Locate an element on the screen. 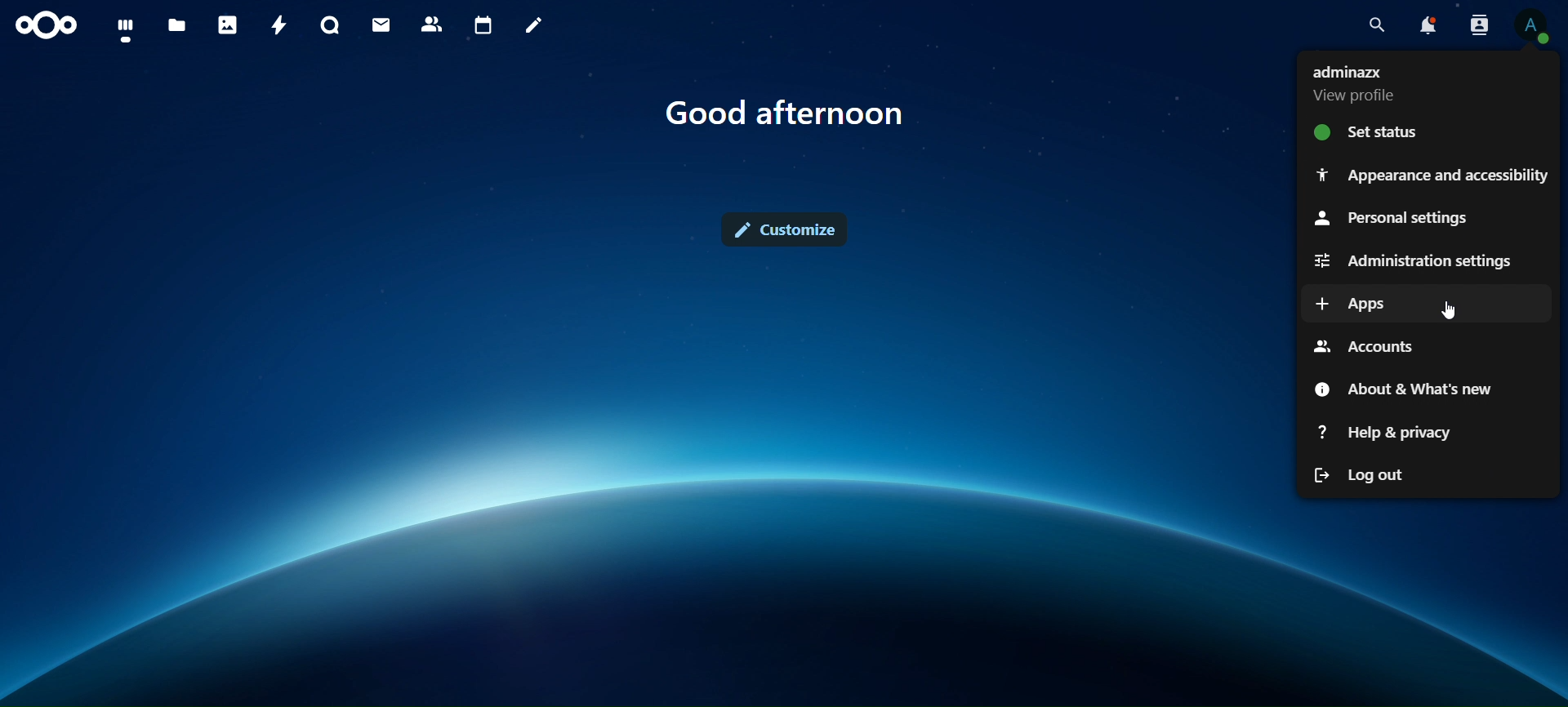  view profile is located at coordinates (1534, 27).